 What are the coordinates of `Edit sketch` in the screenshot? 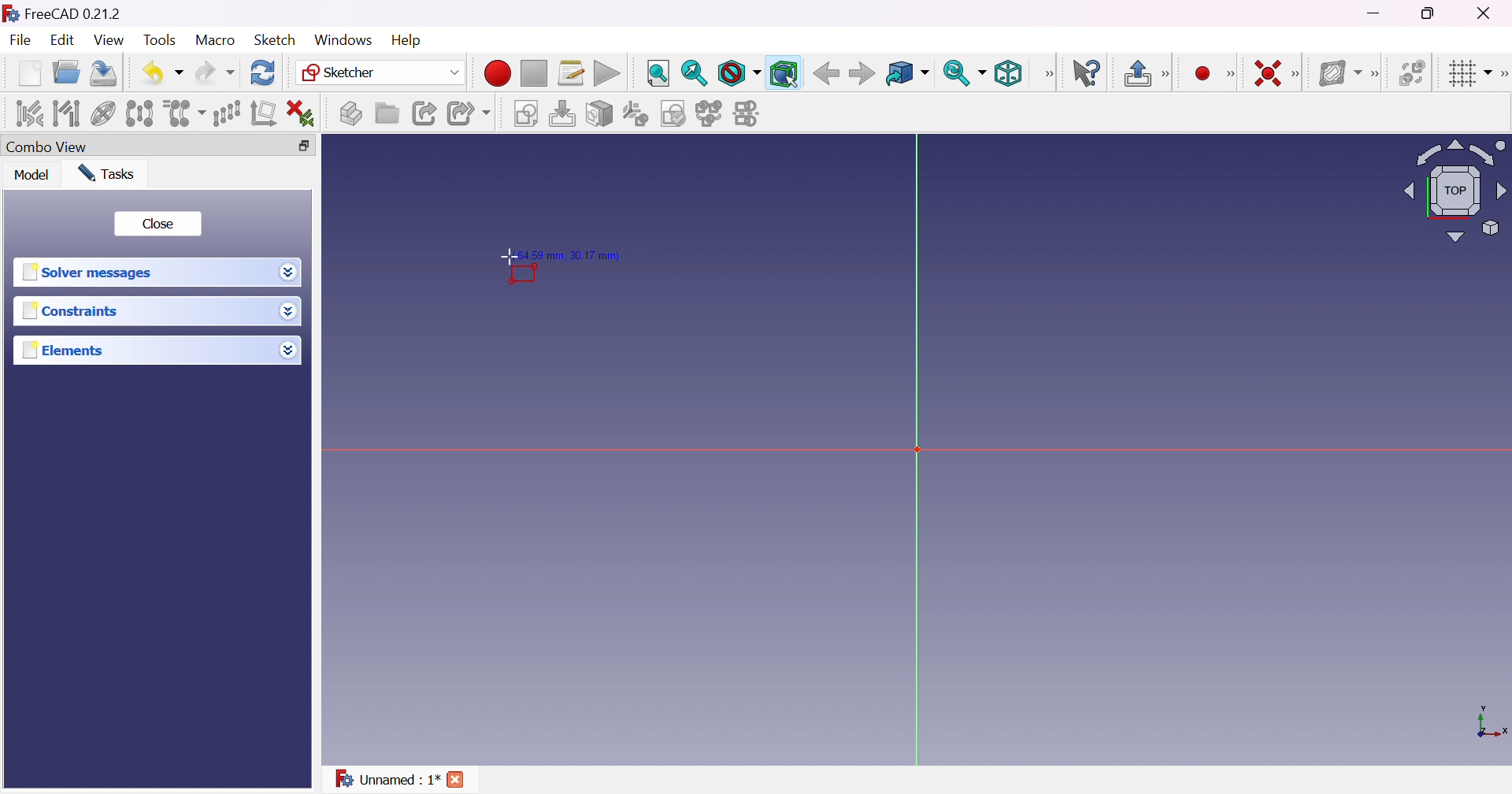 It's located at (561, 113).